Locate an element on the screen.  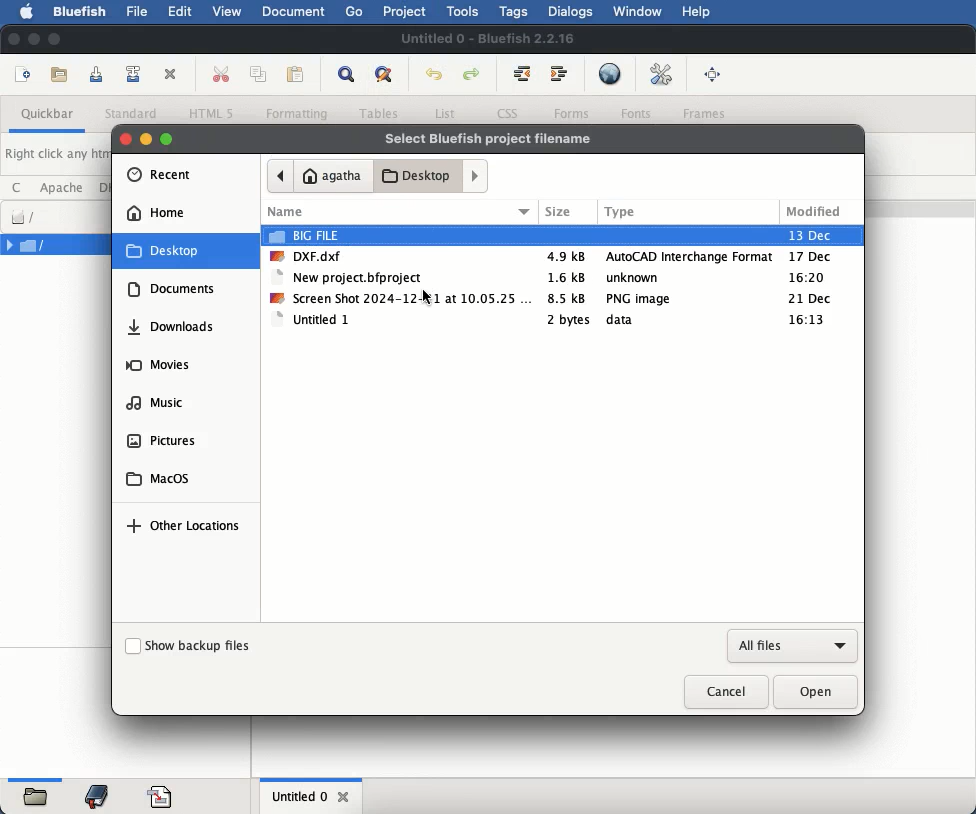
advanced find and replace is located at coordinates (385, 75).